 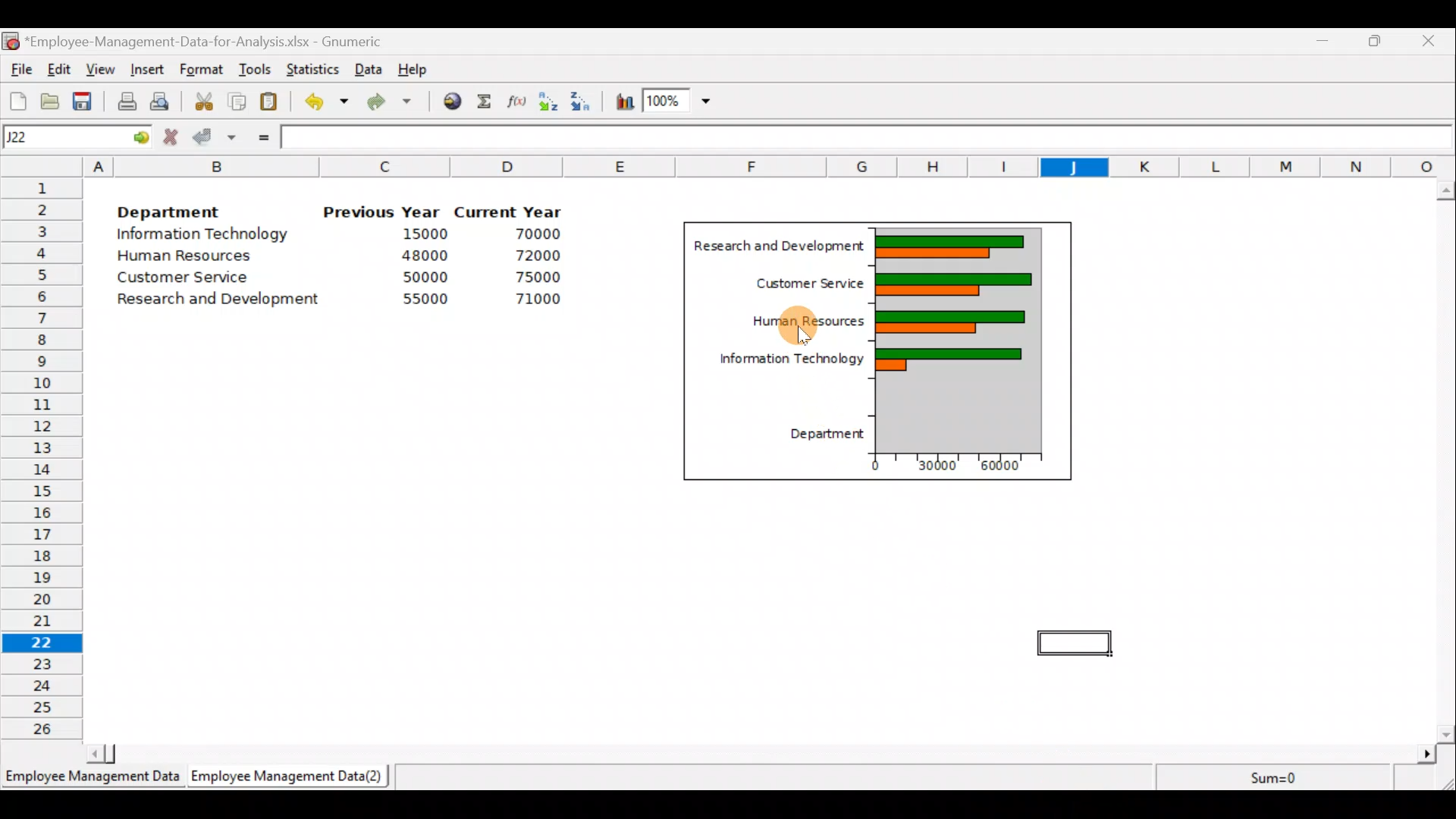 What do you see at coordinates (150, 67) in the screenshot?
I see `Insert` at bounding box center [150, 67].